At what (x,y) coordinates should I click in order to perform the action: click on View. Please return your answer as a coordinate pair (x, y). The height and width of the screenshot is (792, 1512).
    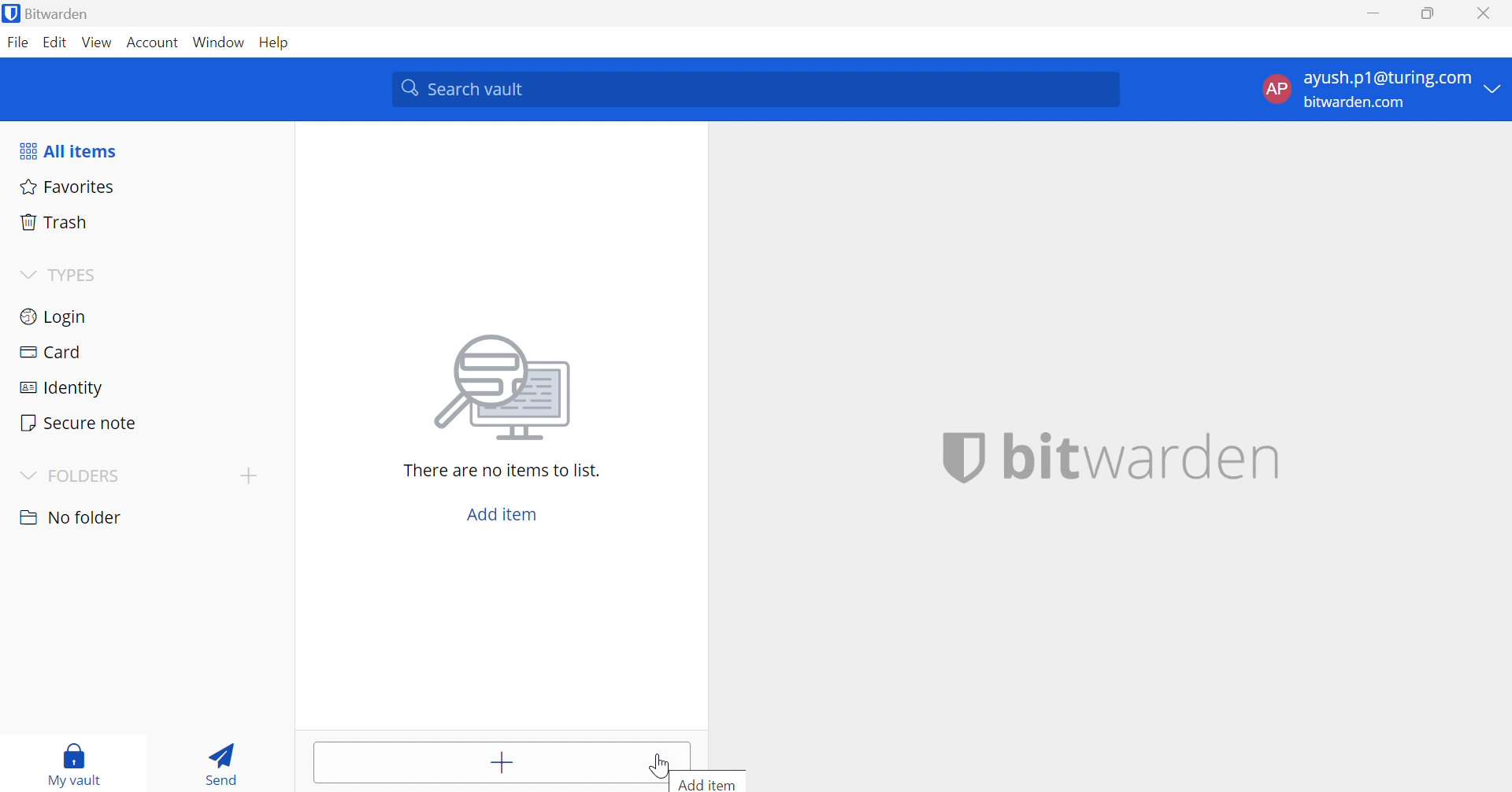
    Looking at the image, I should click on (98, 44).